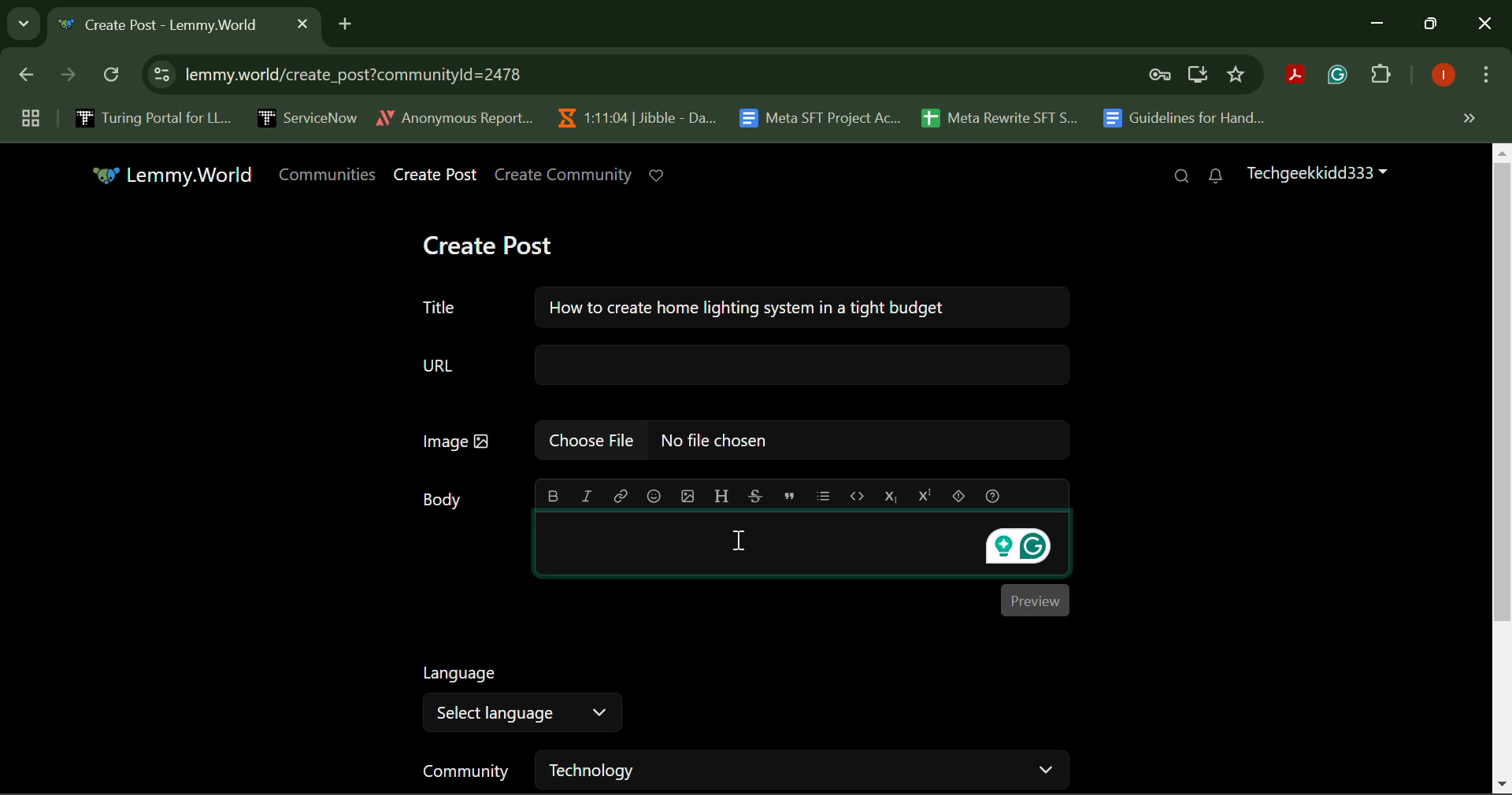 This screenshot has height=795, width=1512. I want to click on Create Post Heading , so click(487, 243).